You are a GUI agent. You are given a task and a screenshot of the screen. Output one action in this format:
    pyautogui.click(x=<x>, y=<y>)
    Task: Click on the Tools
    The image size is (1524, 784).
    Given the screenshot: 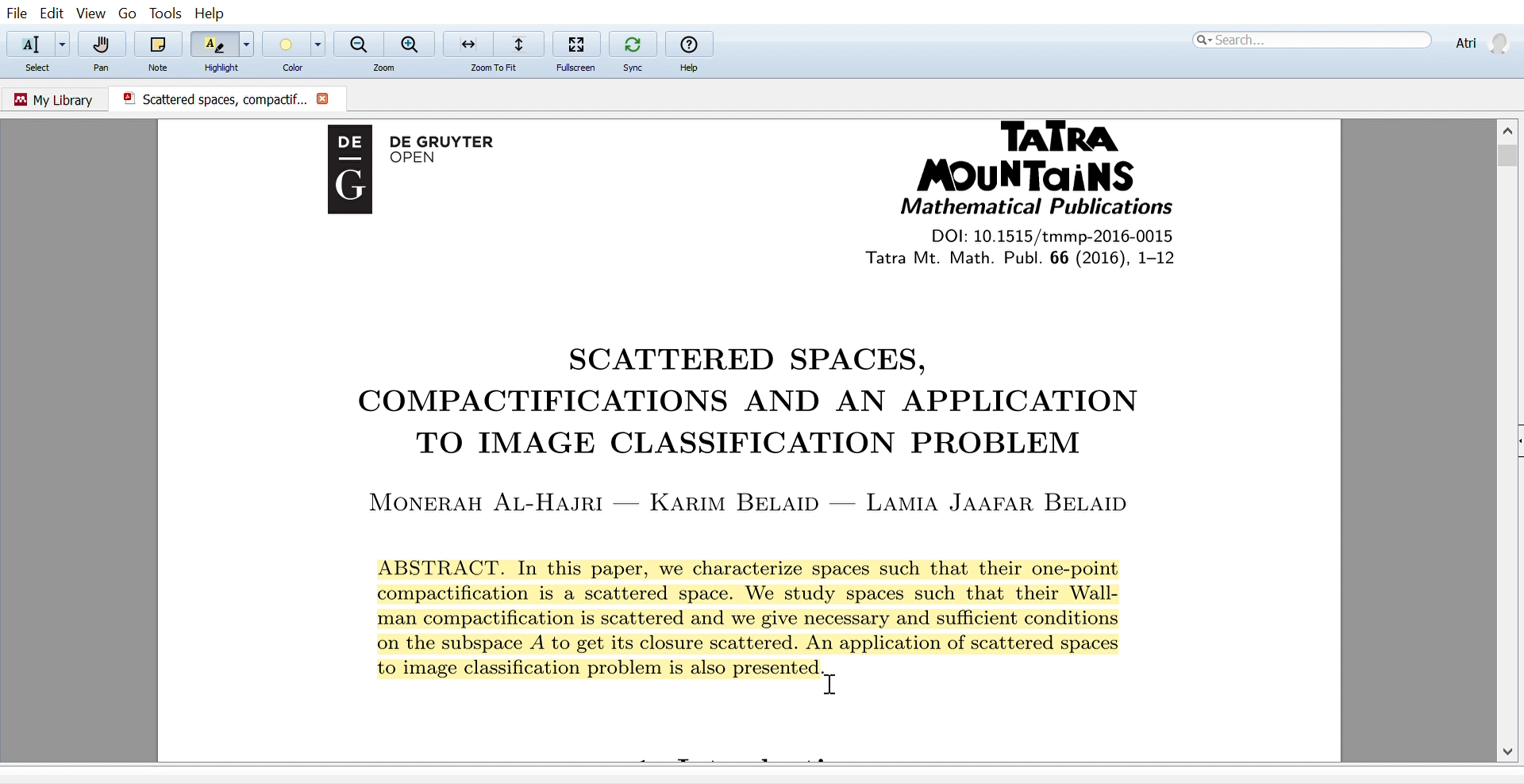 What is the action you would take?
    pyautogui.click(x=162, y=13)
    